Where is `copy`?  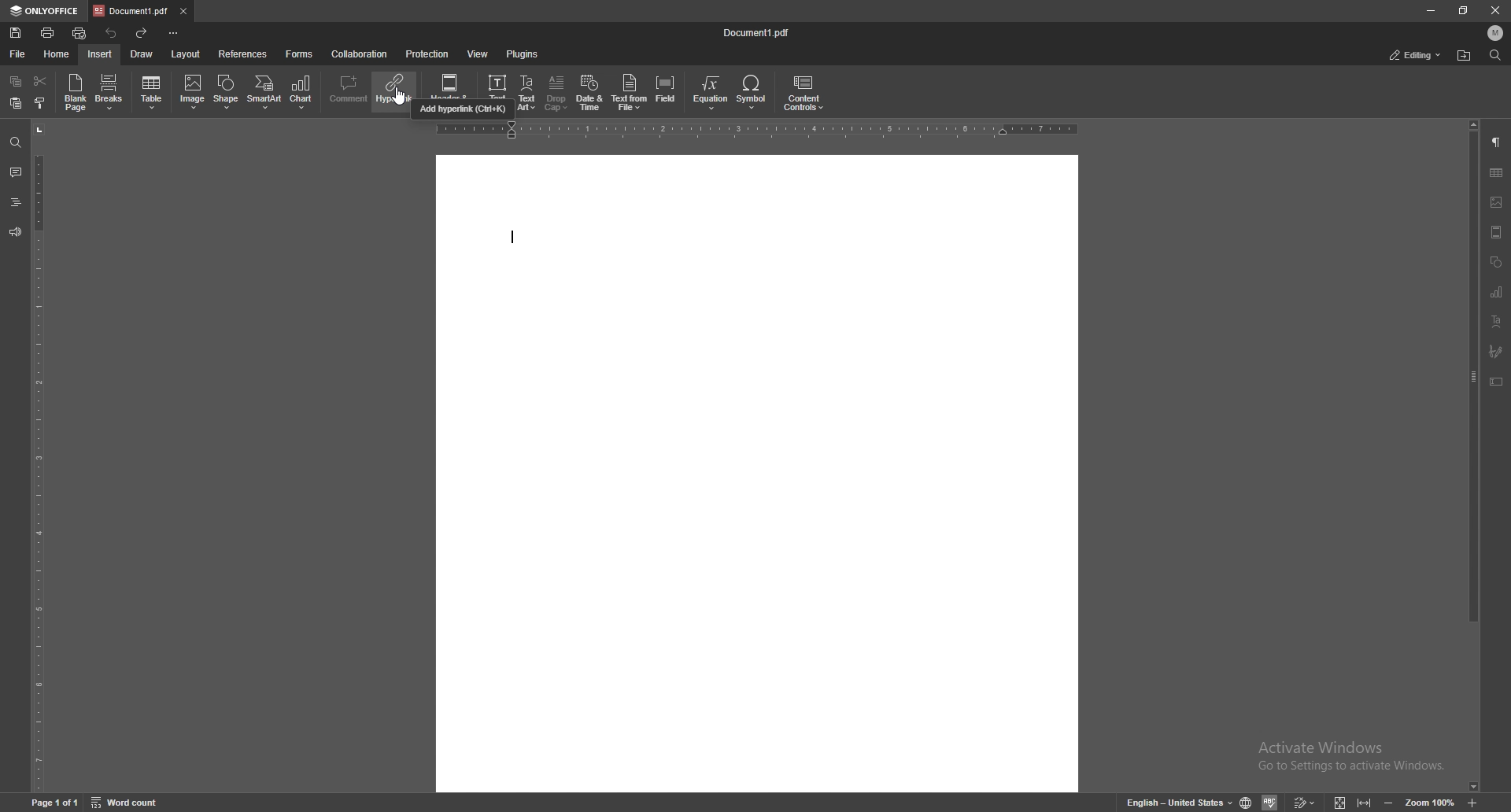
copy is located at coordinates (17, 80).